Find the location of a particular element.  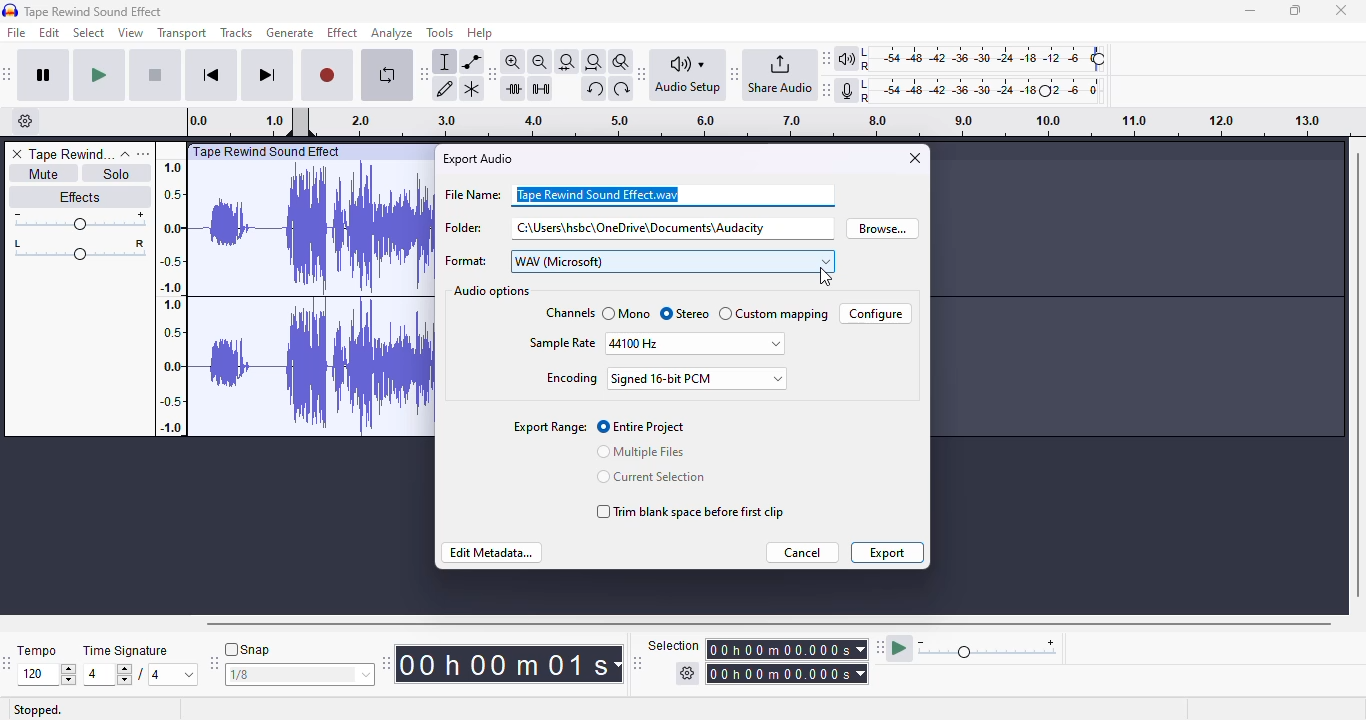

audacity tools toolbar is located at coordinates (425, 74).